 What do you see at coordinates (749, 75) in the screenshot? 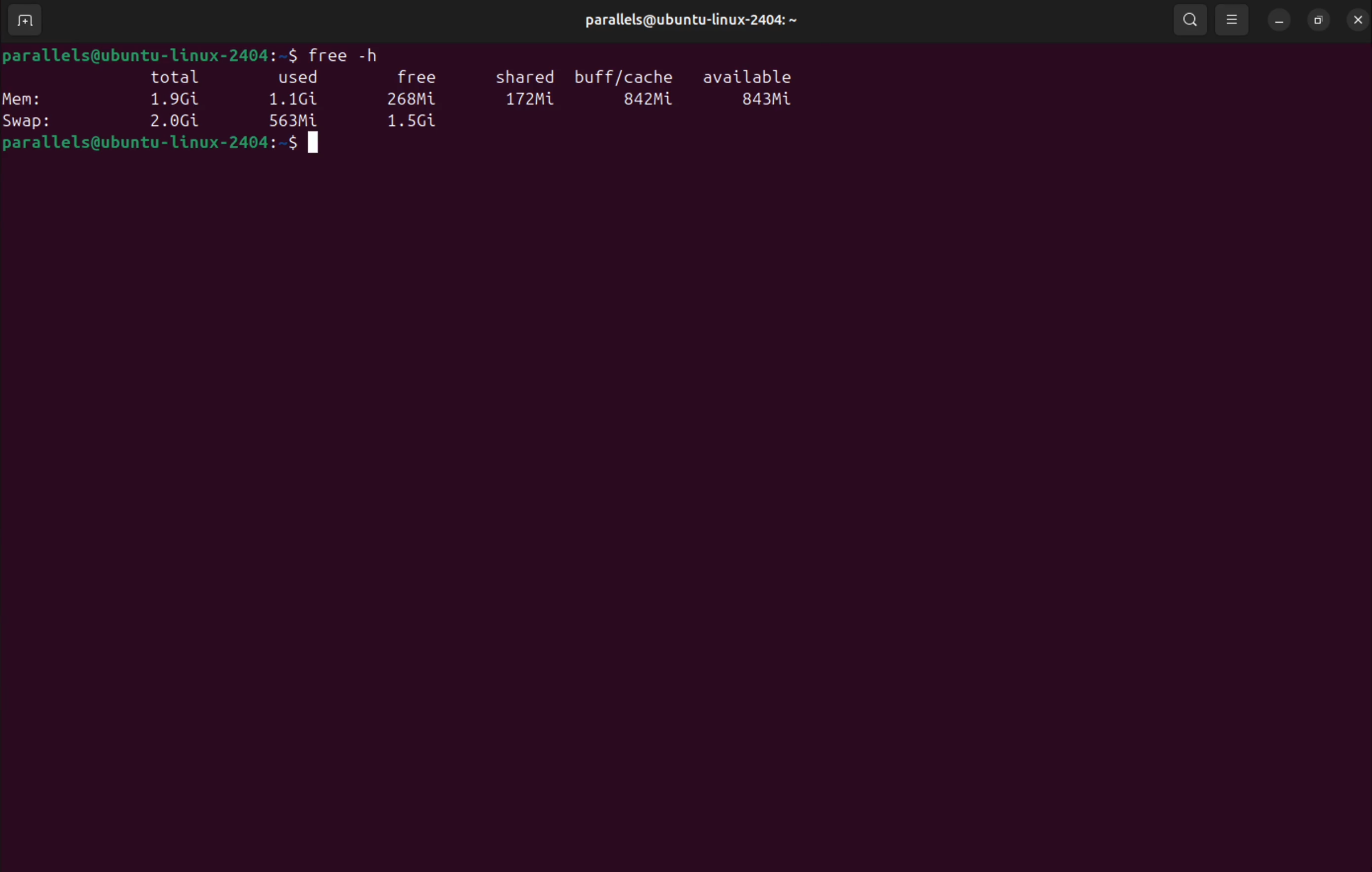
I see `available` at bounding box center [749, 75].